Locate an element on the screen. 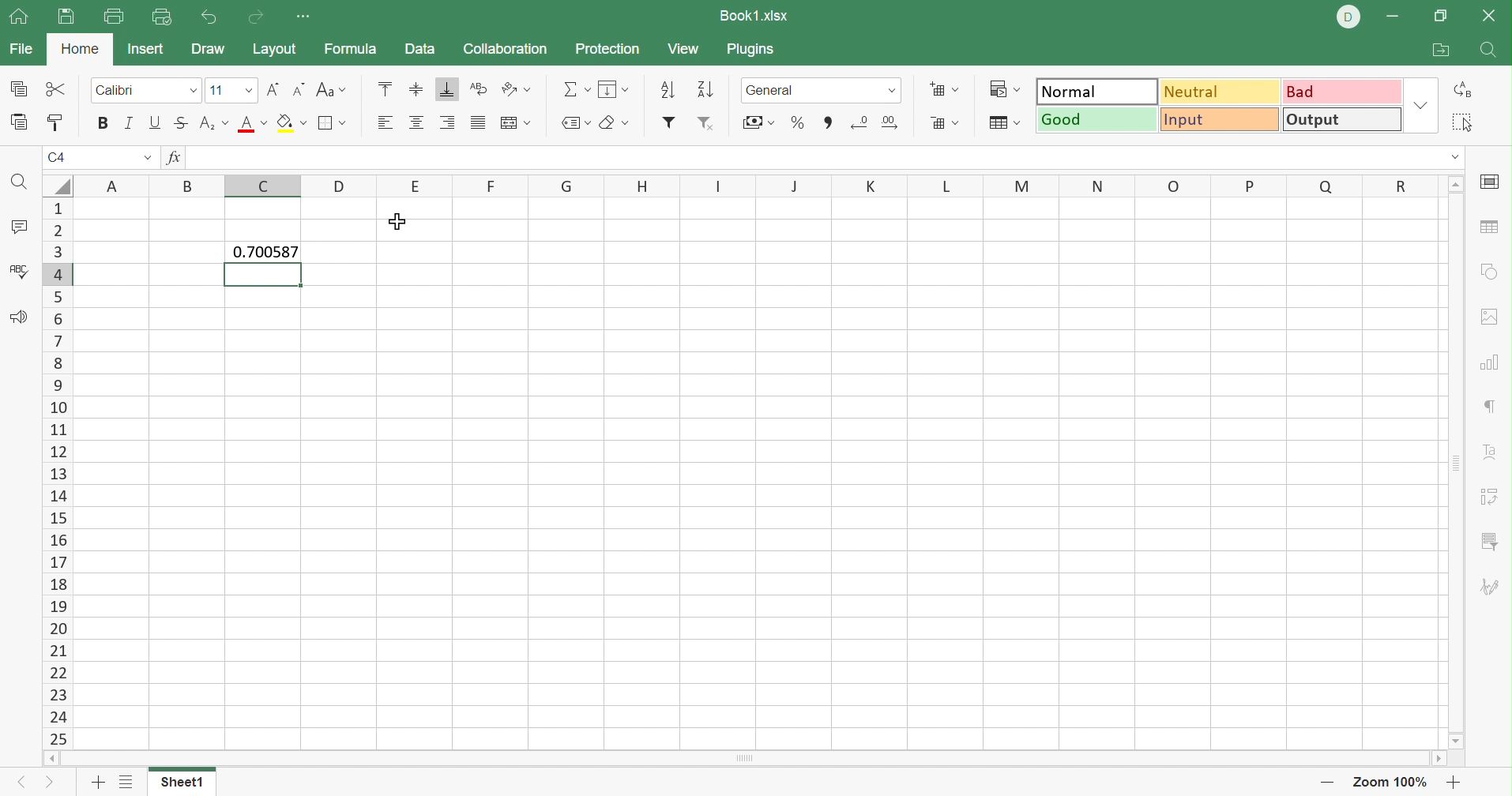 This screenshot has width=1512, height=796. Font is located at coordinates (148, 91).